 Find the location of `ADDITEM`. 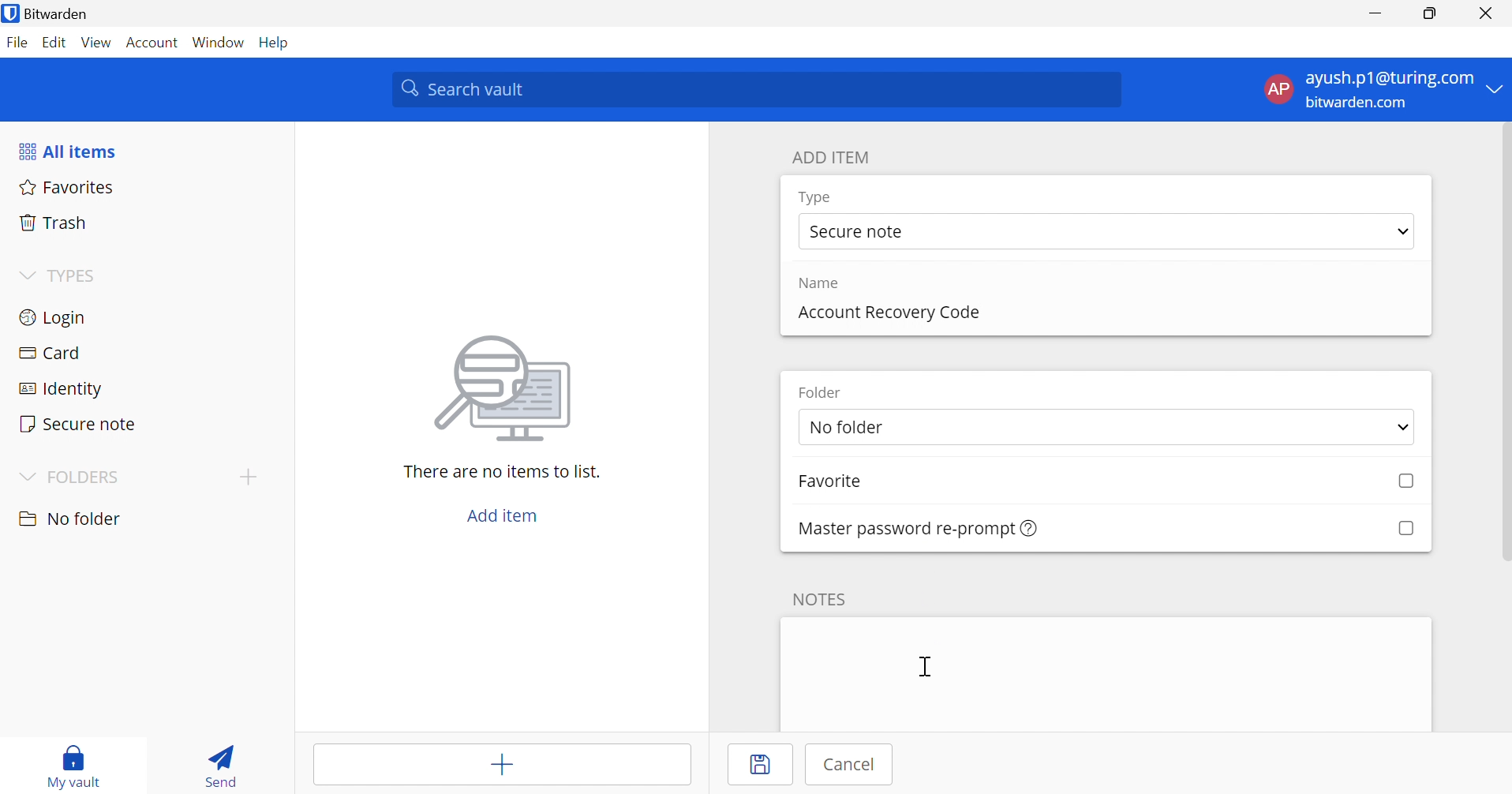

ADDITEM is located at coordinates (835, 157).